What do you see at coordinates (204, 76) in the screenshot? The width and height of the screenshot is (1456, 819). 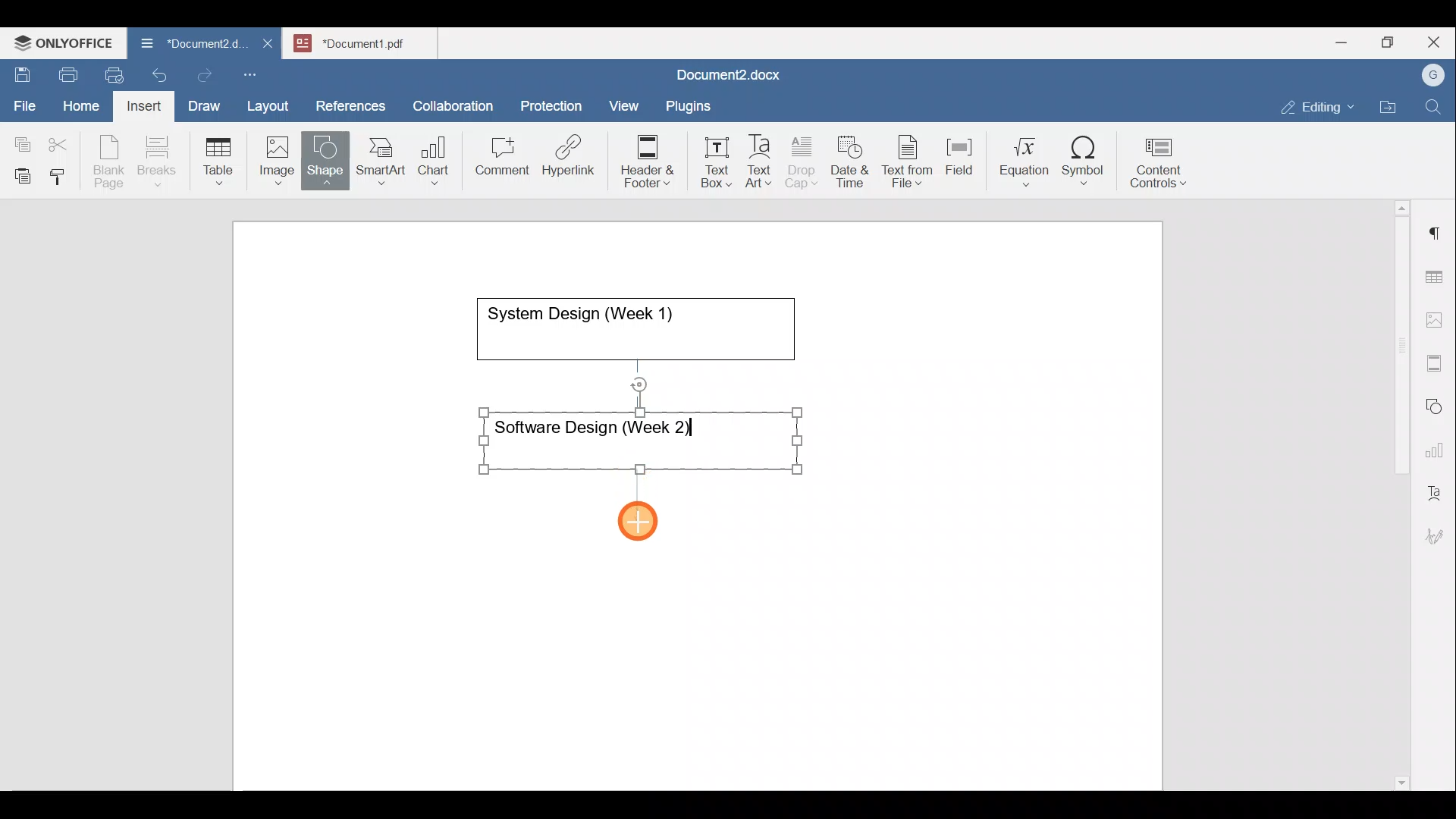 I see `Redo` at bounding box center [204, 76].